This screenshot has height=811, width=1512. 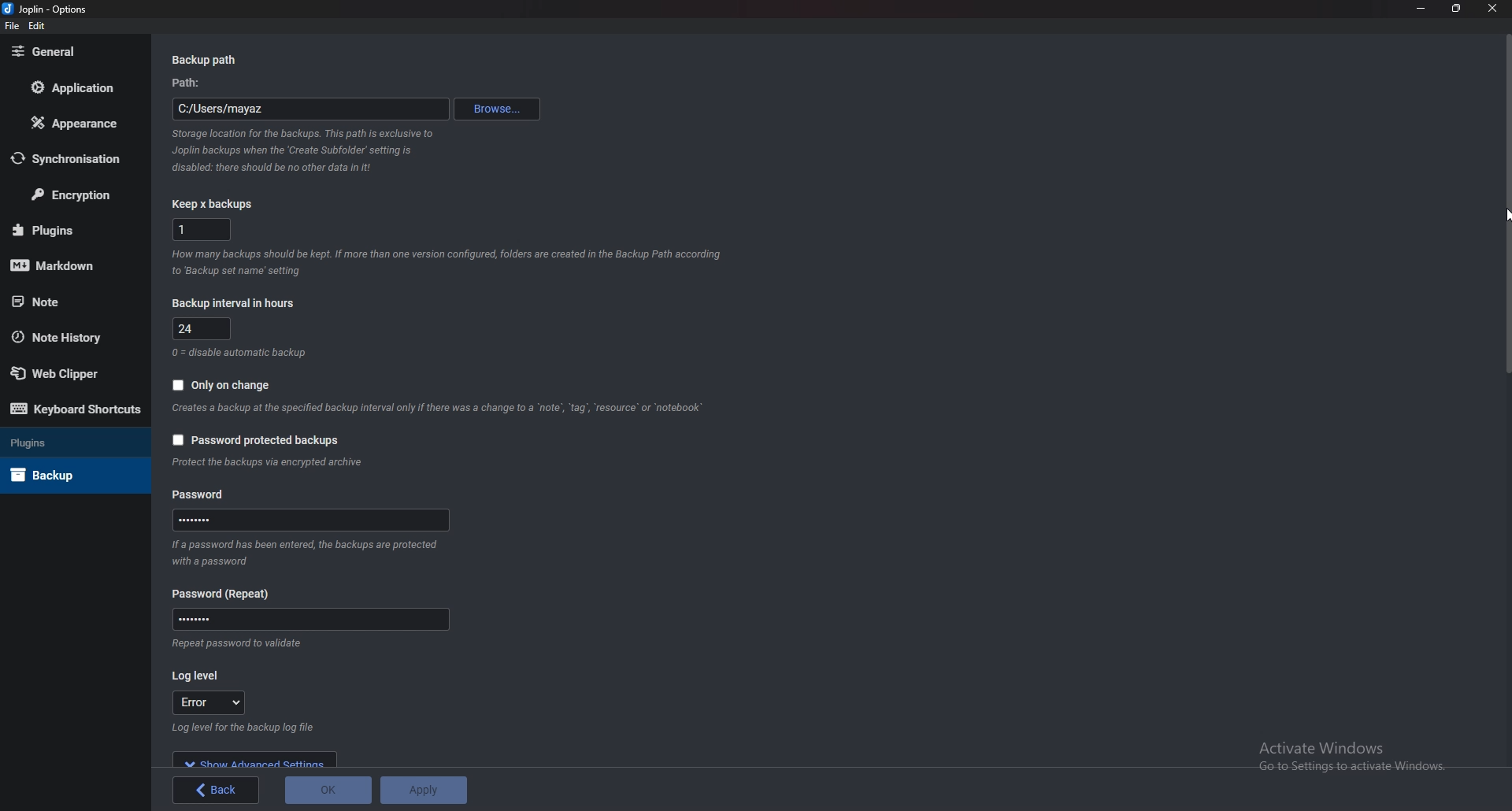 What do you see at coordinates (211, 60) in the screenshot?
I see `backup path` at bounding box center [211, 60].